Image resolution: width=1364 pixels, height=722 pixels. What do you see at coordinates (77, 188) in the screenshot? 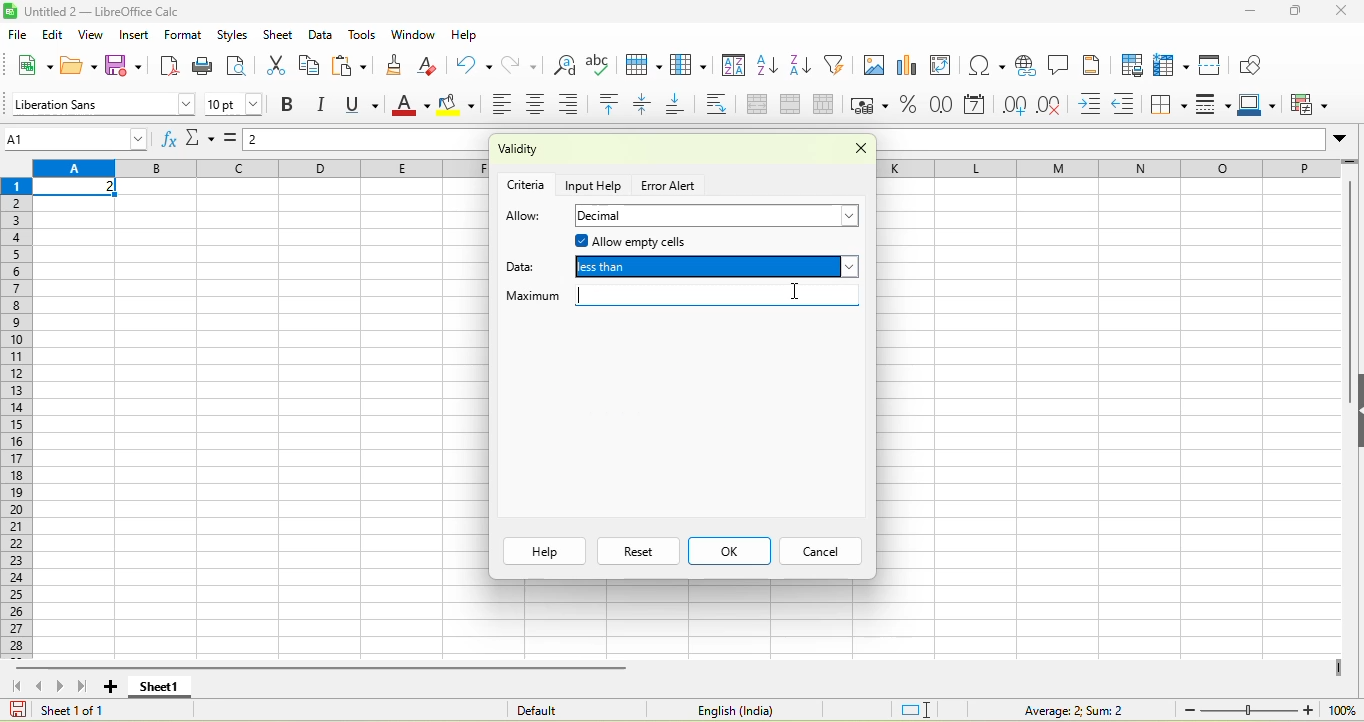
I see `selected cell` at bounding box center [77, 188].